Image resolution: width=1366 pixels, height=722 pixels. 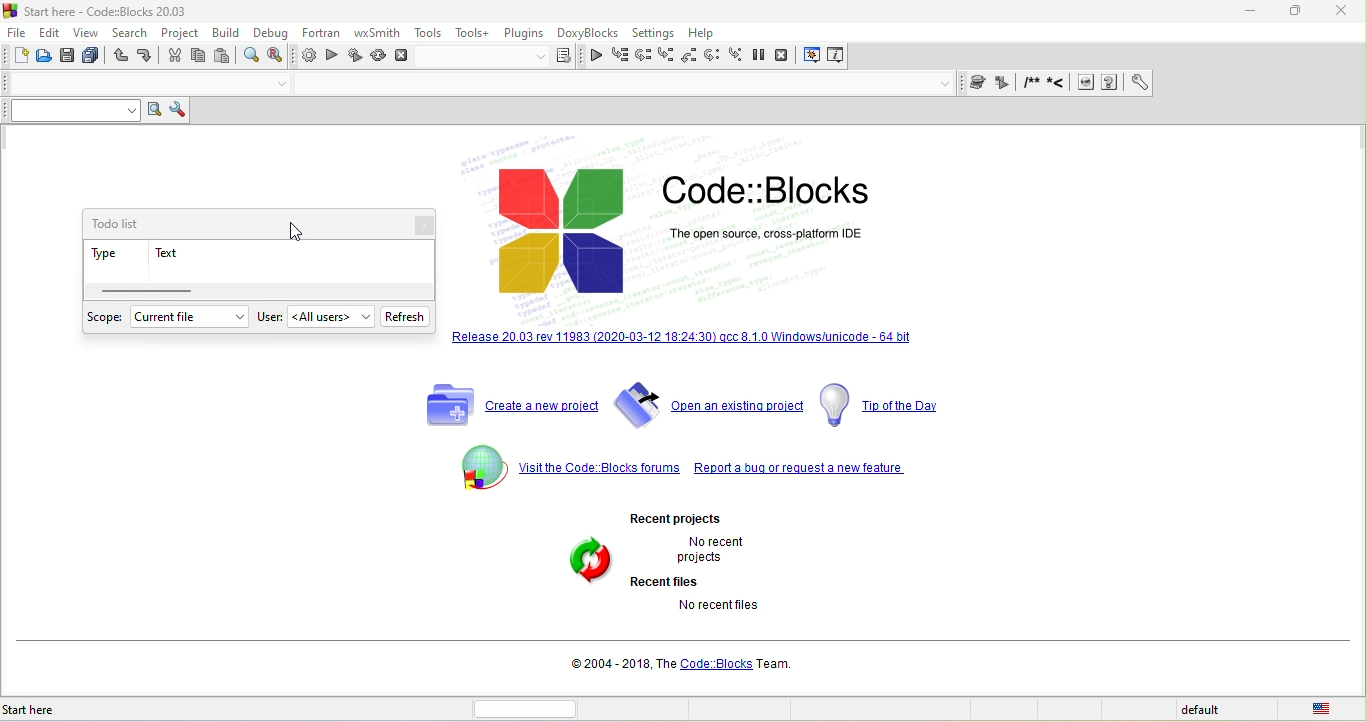 What do you see at coordinates (506, 405) in the screenshot?
I see `create a new project` at bounding box center [506, 405].